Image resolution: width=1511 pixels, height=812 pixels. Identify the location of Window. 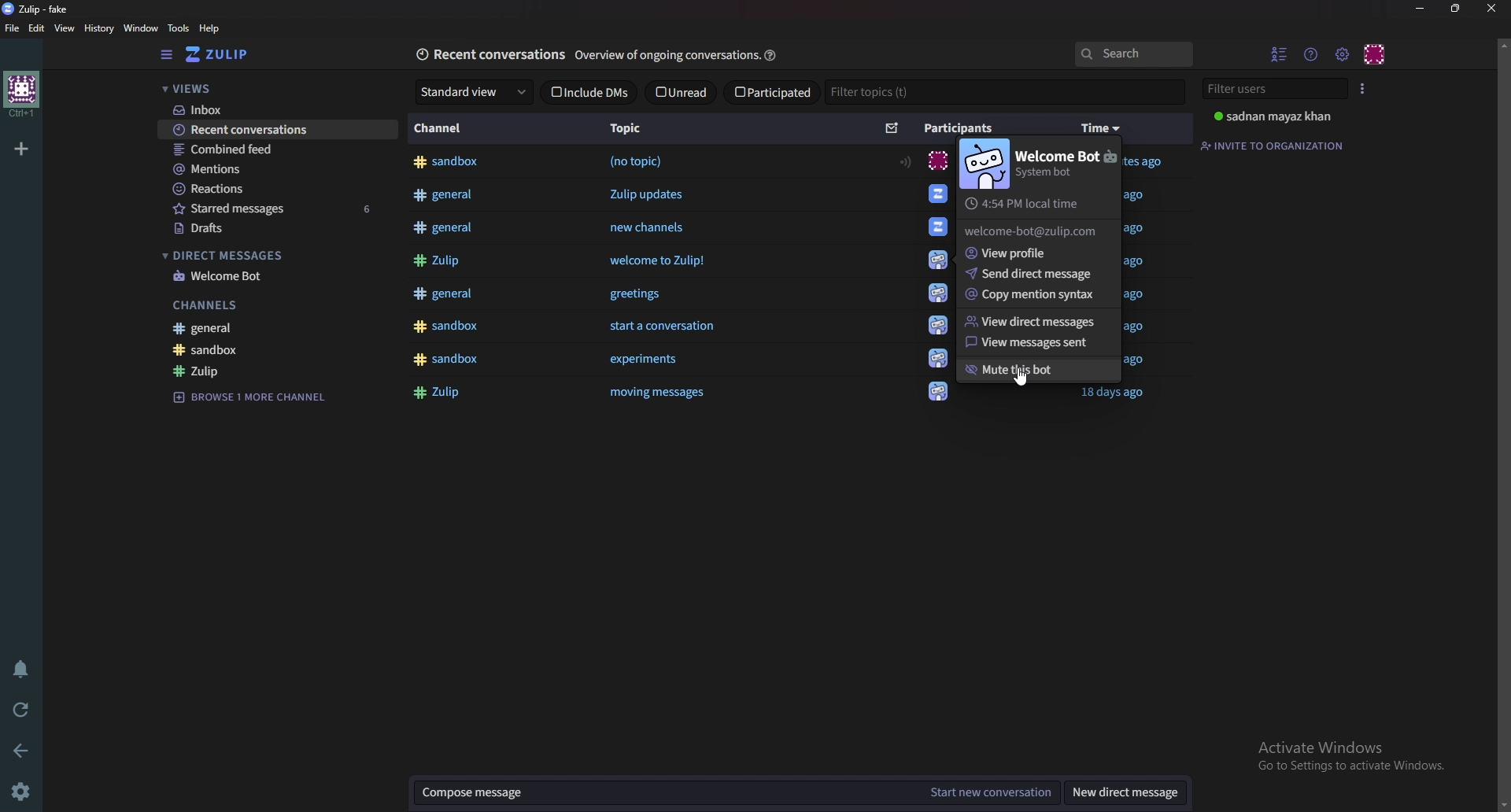
(141, 28).